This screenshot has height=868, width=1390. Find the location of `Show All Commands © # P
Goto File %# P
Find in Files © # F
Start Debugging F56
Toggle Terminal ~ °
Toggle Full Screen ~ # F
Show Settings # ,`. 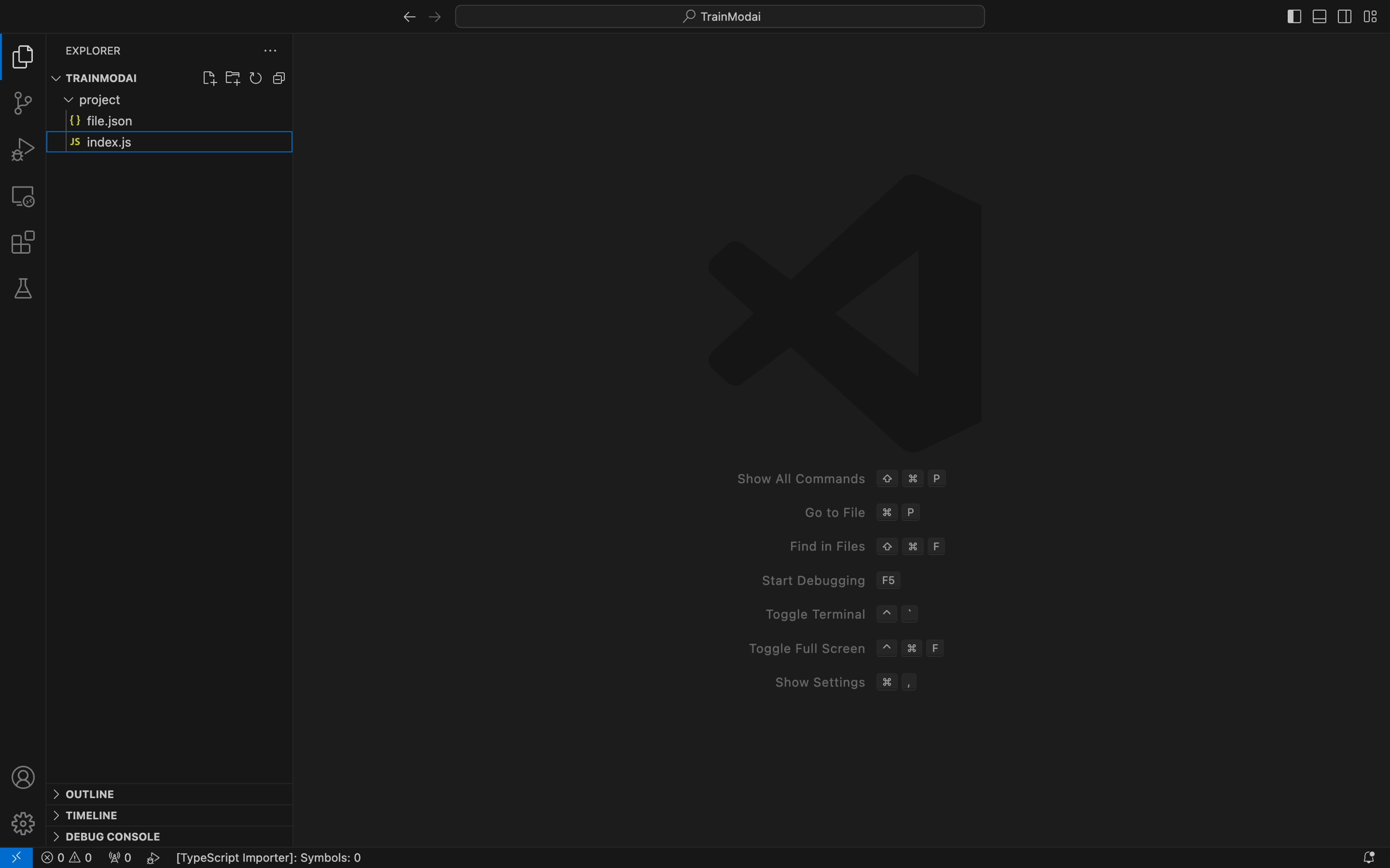

Show All Commands © # P
Goto File %# P
Find in Files © # F
Start Debugging F56
Toggle Terminal ~ °
Toggle Full Screen ~ # F
Show Settings # , is located at coordinates (838, 479).